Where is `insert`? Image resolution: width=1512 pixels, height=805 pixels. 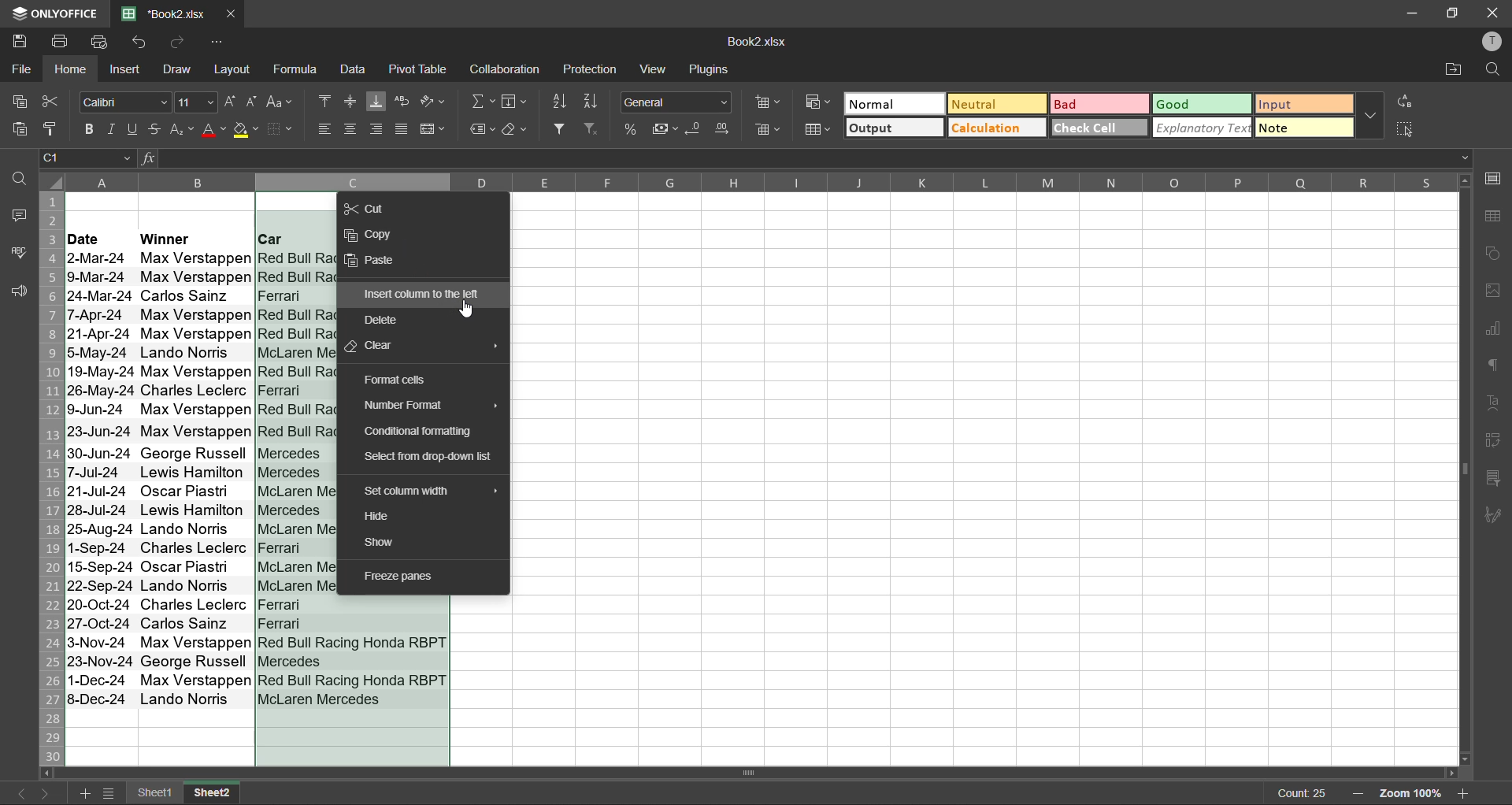
insert is located at coordinates (130, 71).